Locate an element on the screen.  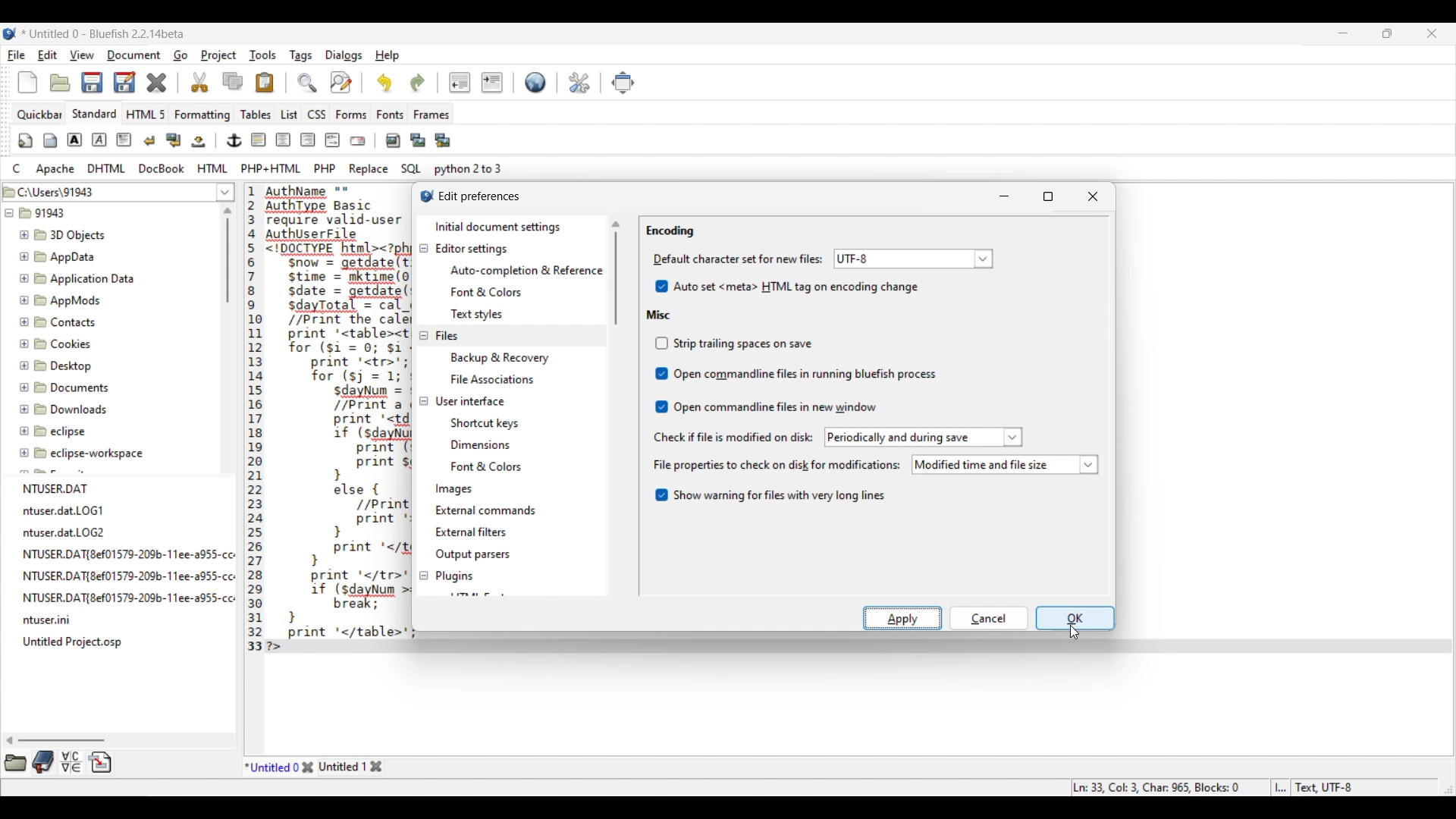
Cut is located at coordinates (199, 82).